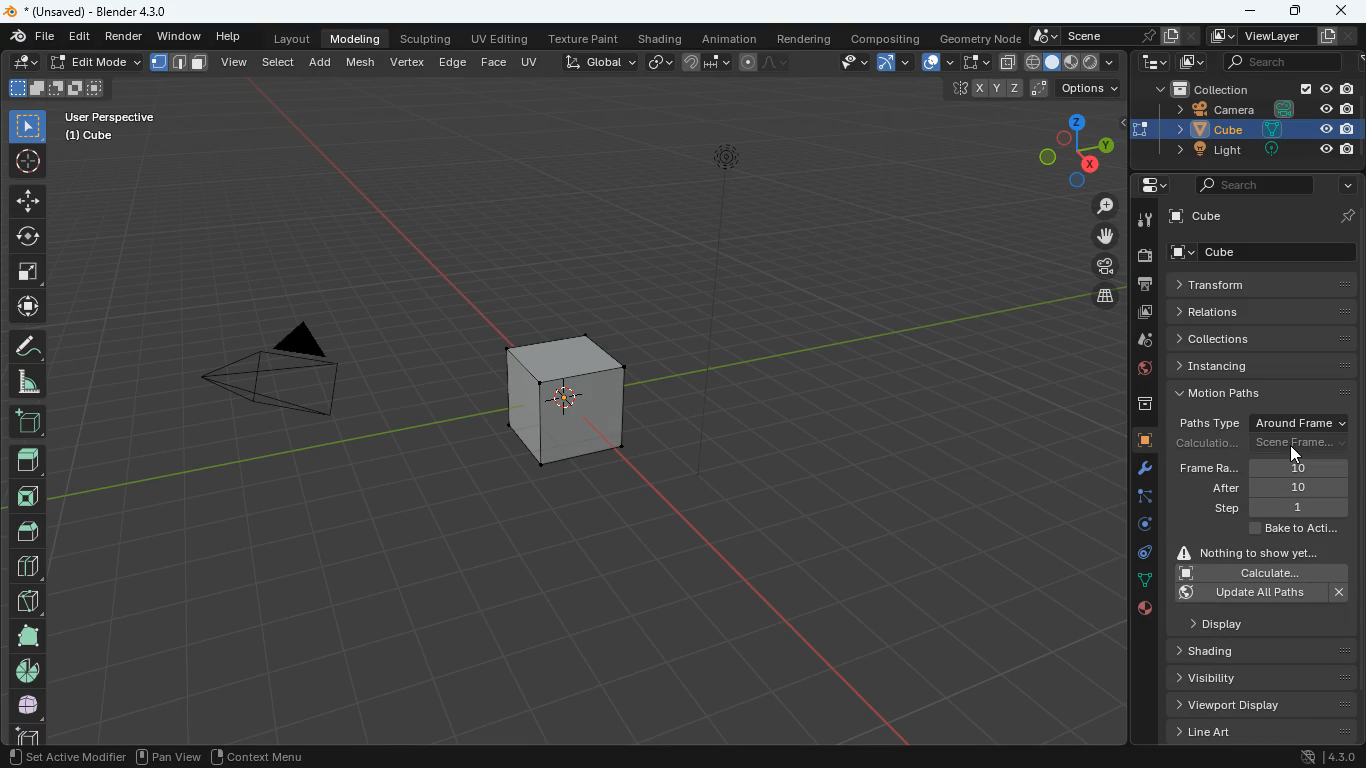 The image size is (1366, 768). I want to click on calculate, so click(1258, 573).